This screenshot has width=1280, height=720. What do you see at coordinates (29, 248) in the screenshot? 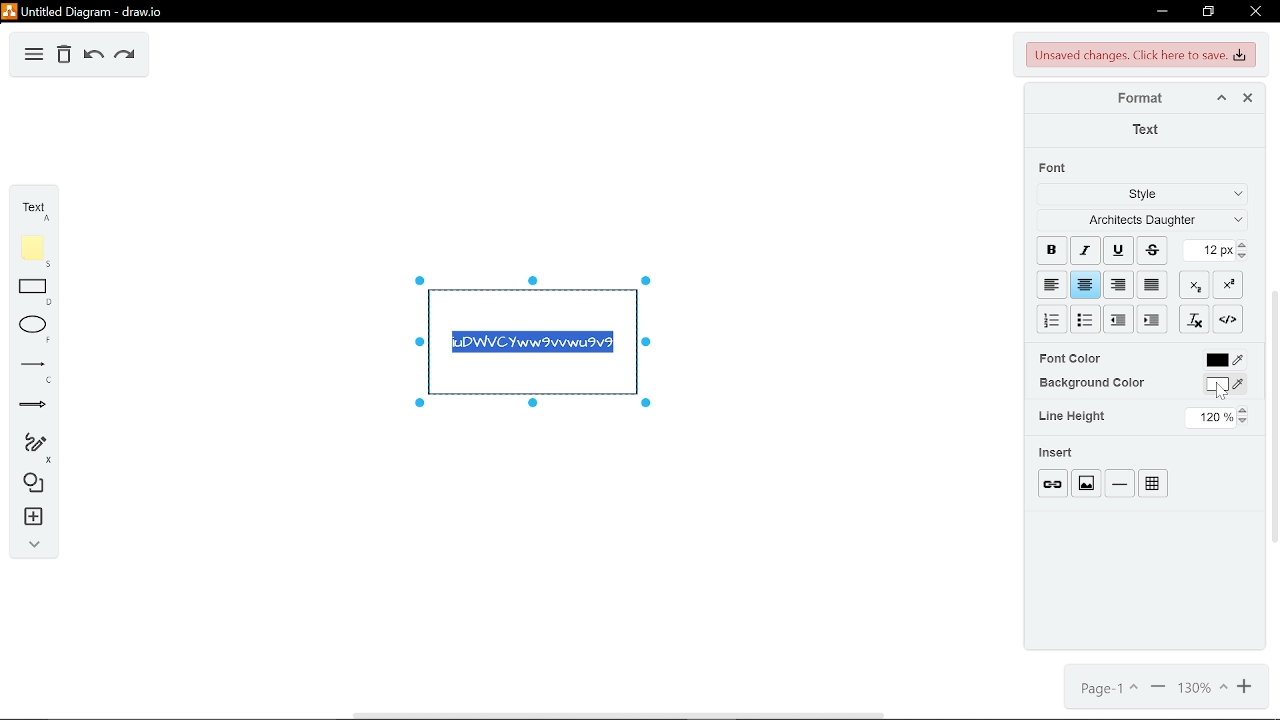
I see `note` at bounding box center [29, 248].